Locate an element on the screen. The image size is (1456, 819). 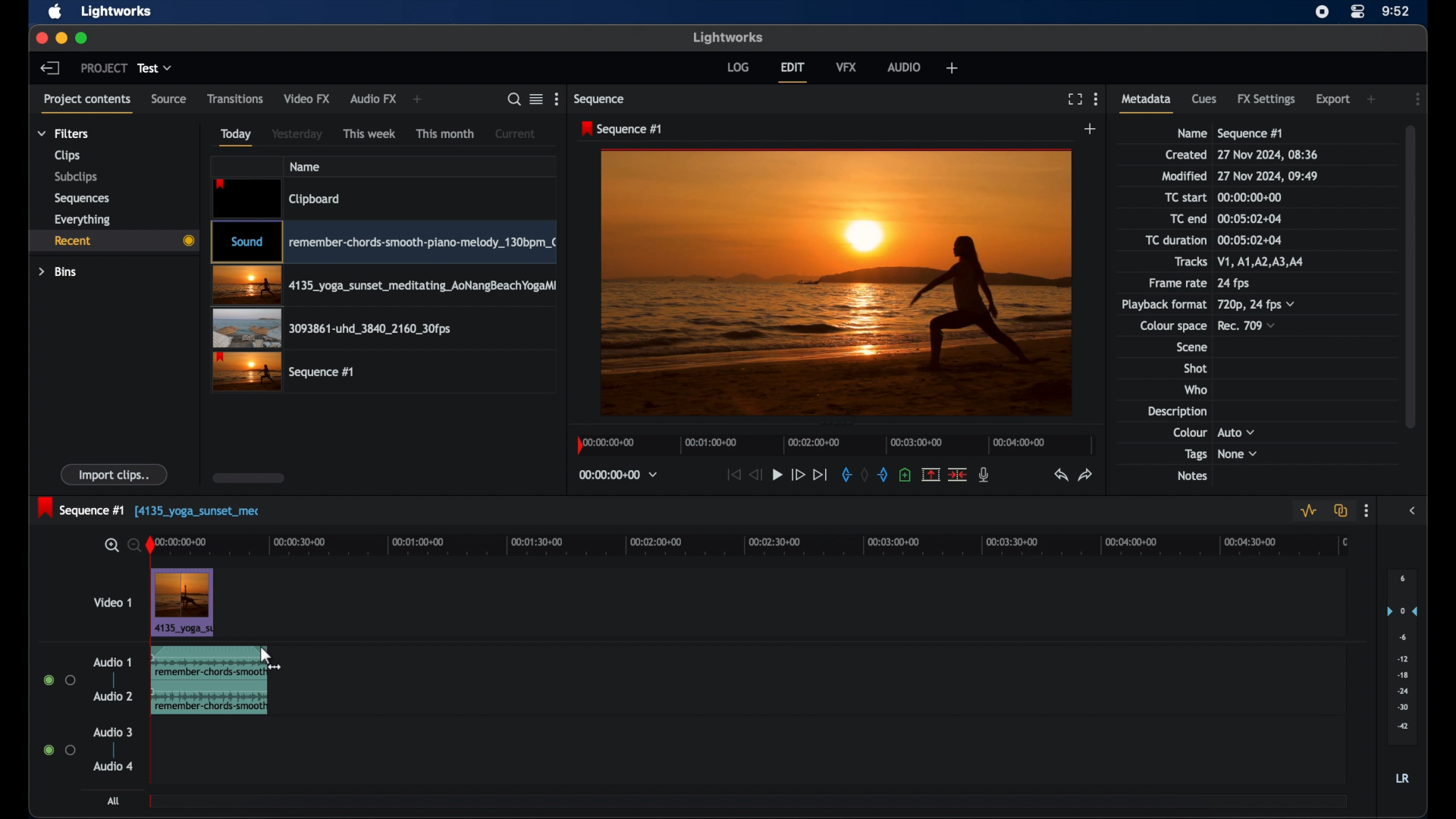
project contents is located at coordinates (87, 103).